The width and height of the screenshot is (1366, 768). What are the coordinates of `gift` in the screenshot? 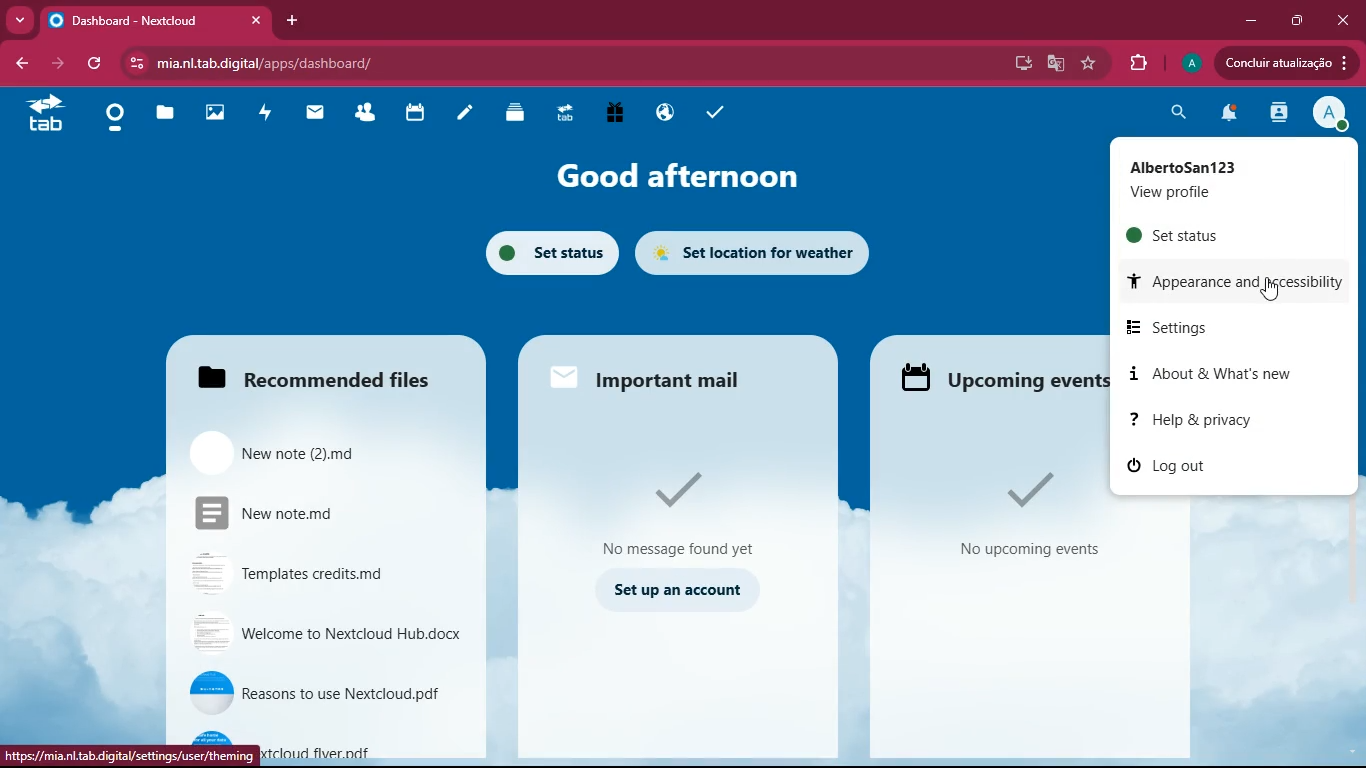 It's located at (616, 114).